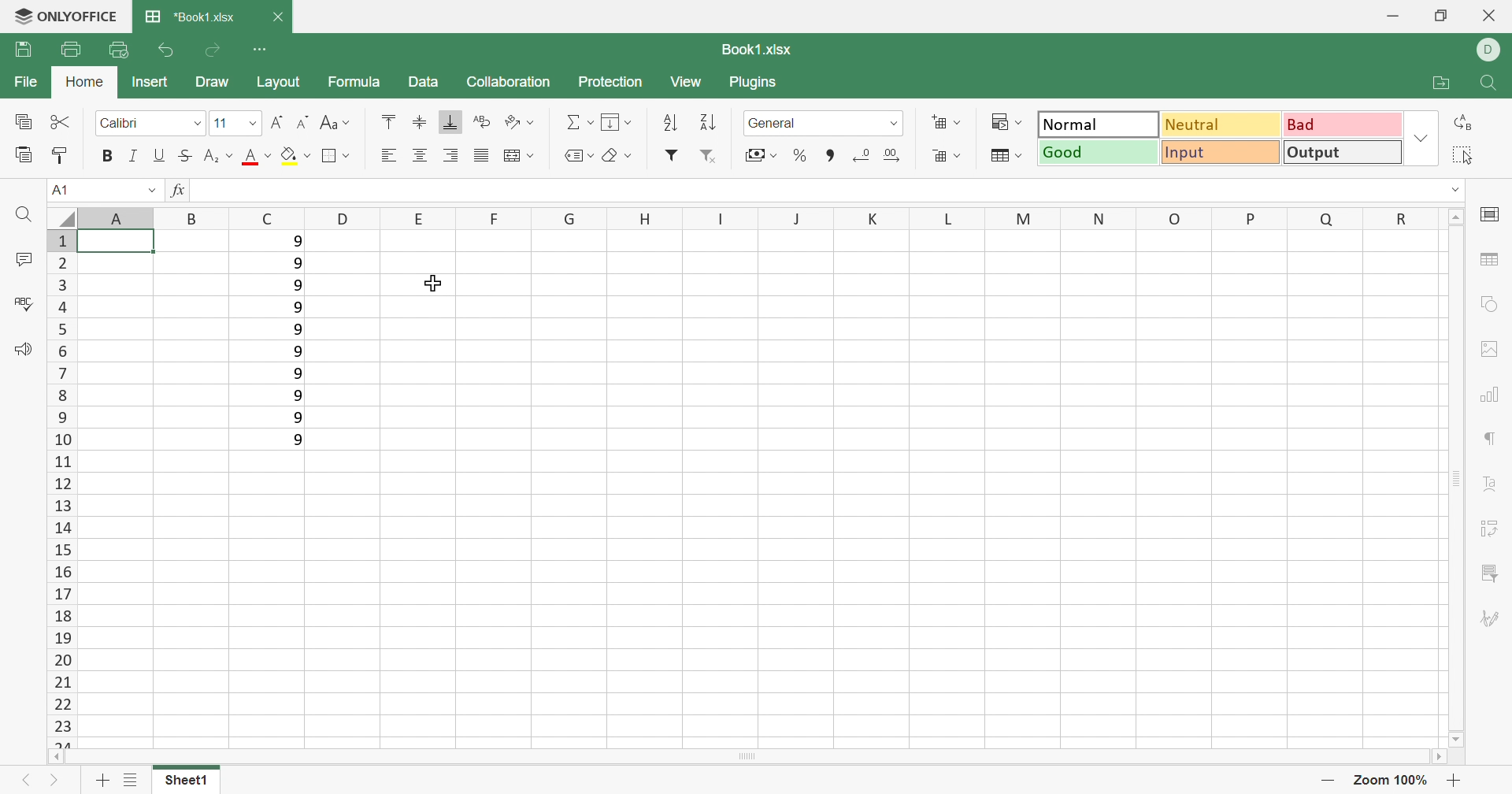 This screenshot has height=794, width=1512. Describe the element at coordinates (298, 351) in the screenshot. I see `9` at that location.